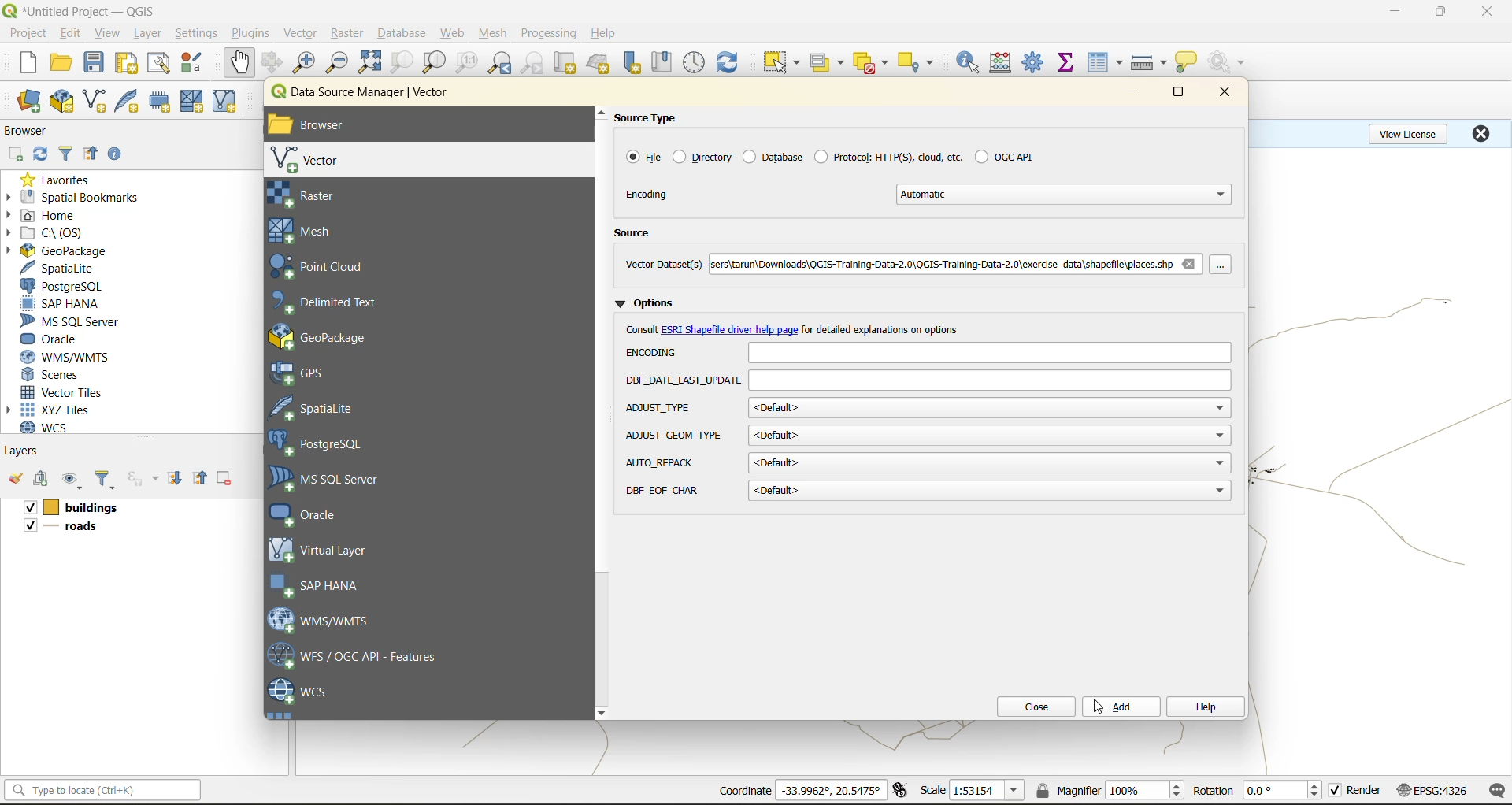  Describe the element at coordinates (1069, 63) in the screenshot. I see `statistical summary` at that location.